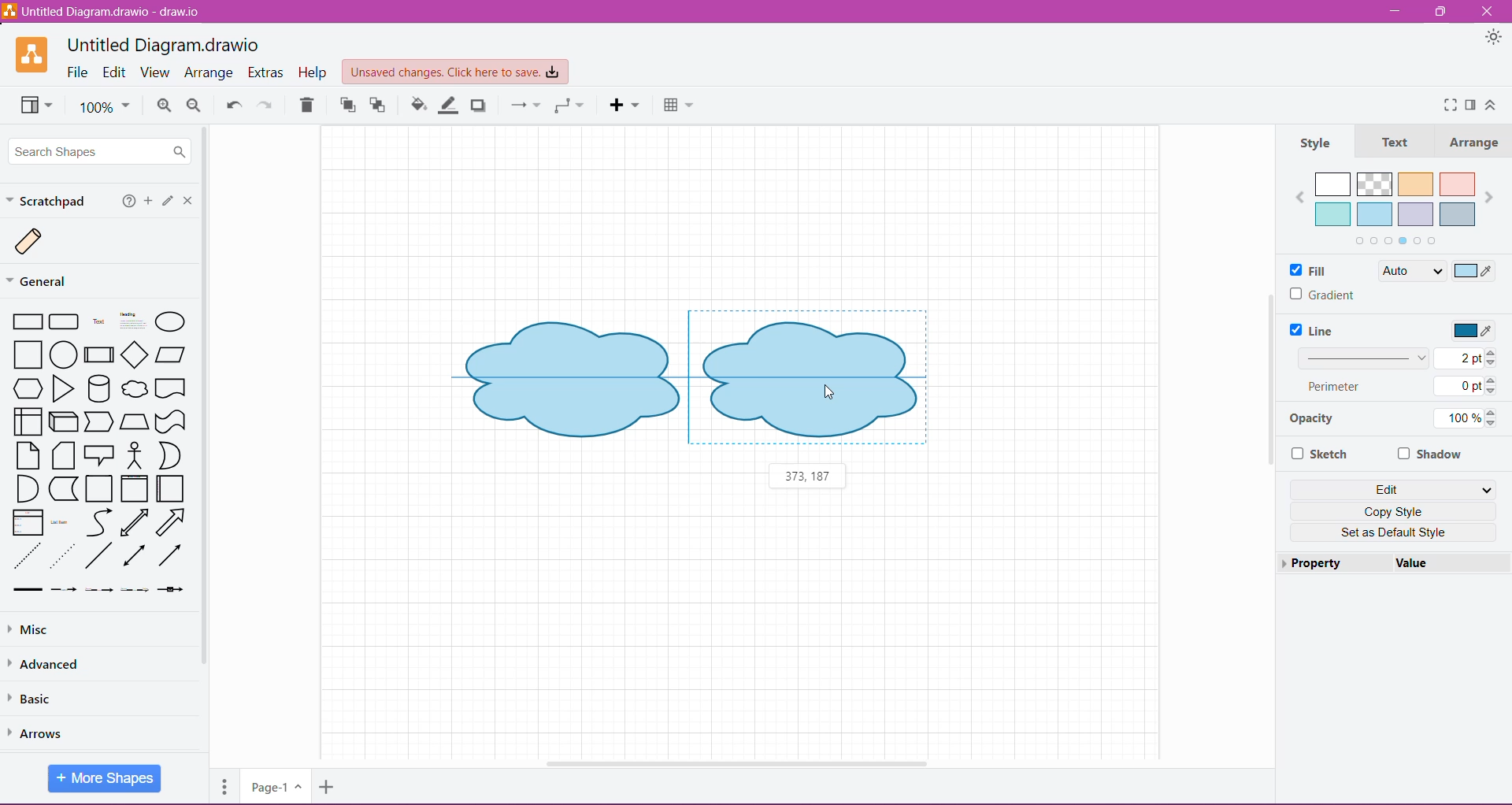 The width and height of the screenshot is (1512, 805). I want to click on Set Line Width 2 pt, so click(1399, 359).